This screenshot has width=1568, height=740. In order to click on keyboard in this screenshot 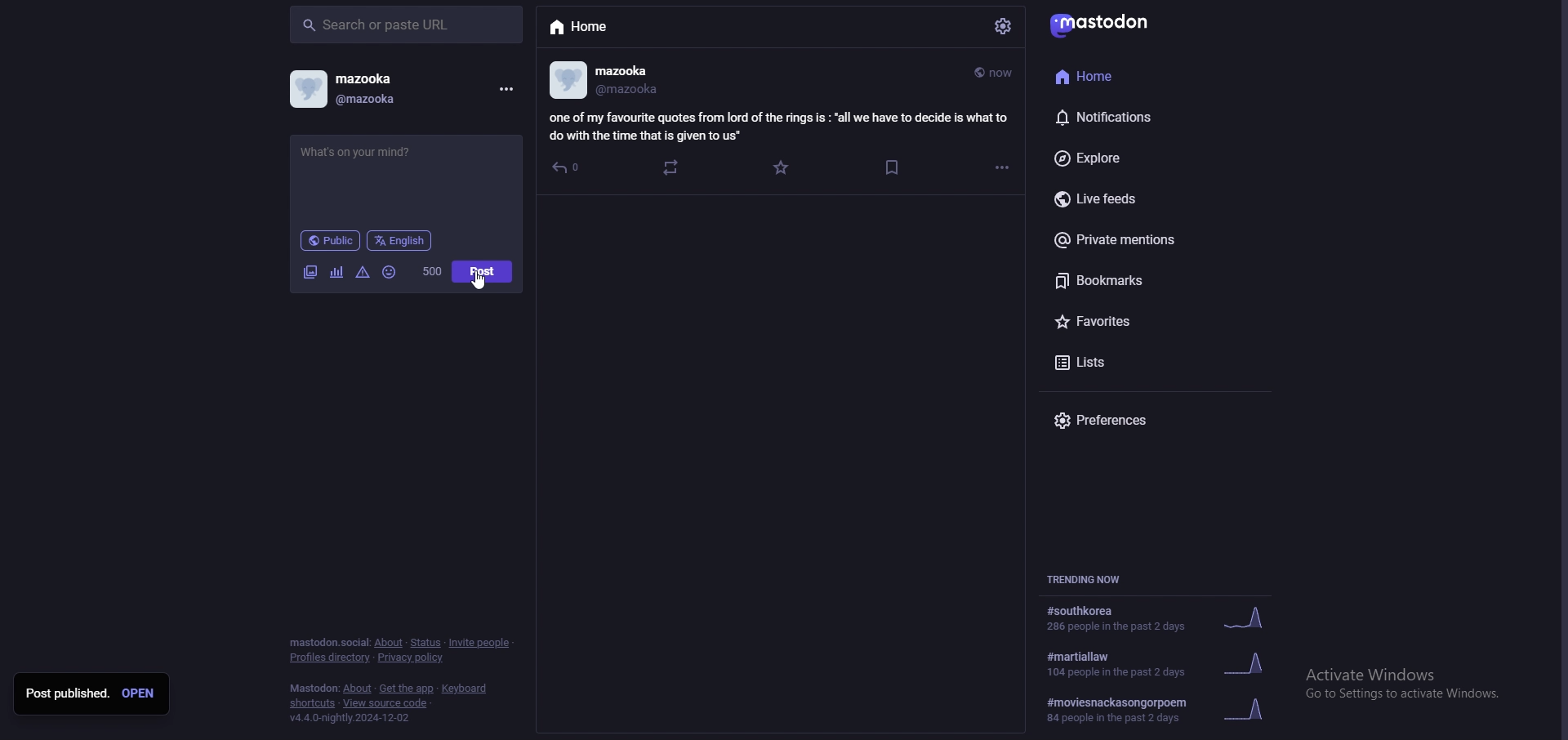, I will do `click(466, 689)`.